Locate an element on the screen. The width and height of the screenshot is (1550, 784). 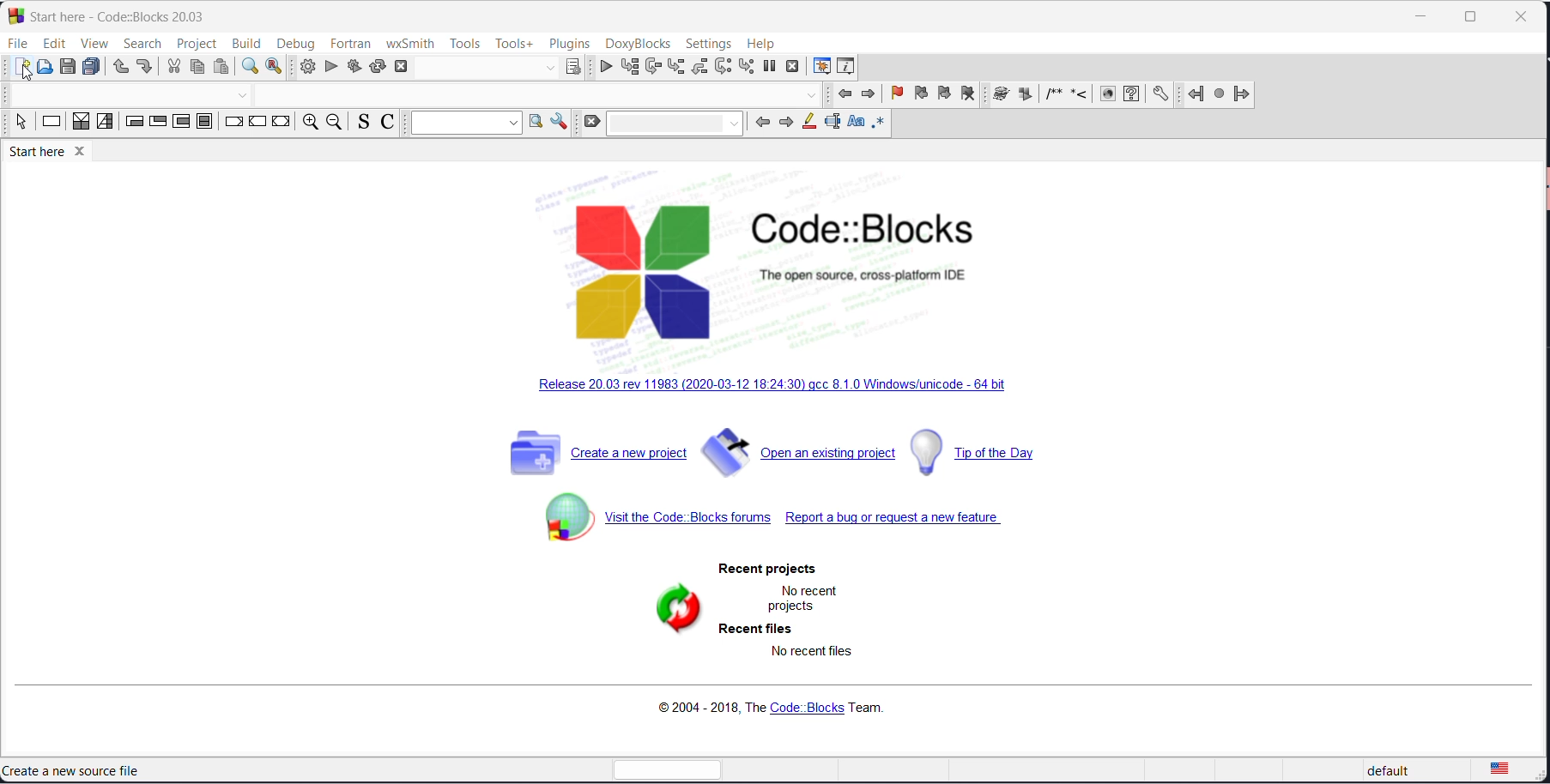
previous is located at coordinates (765, 124).